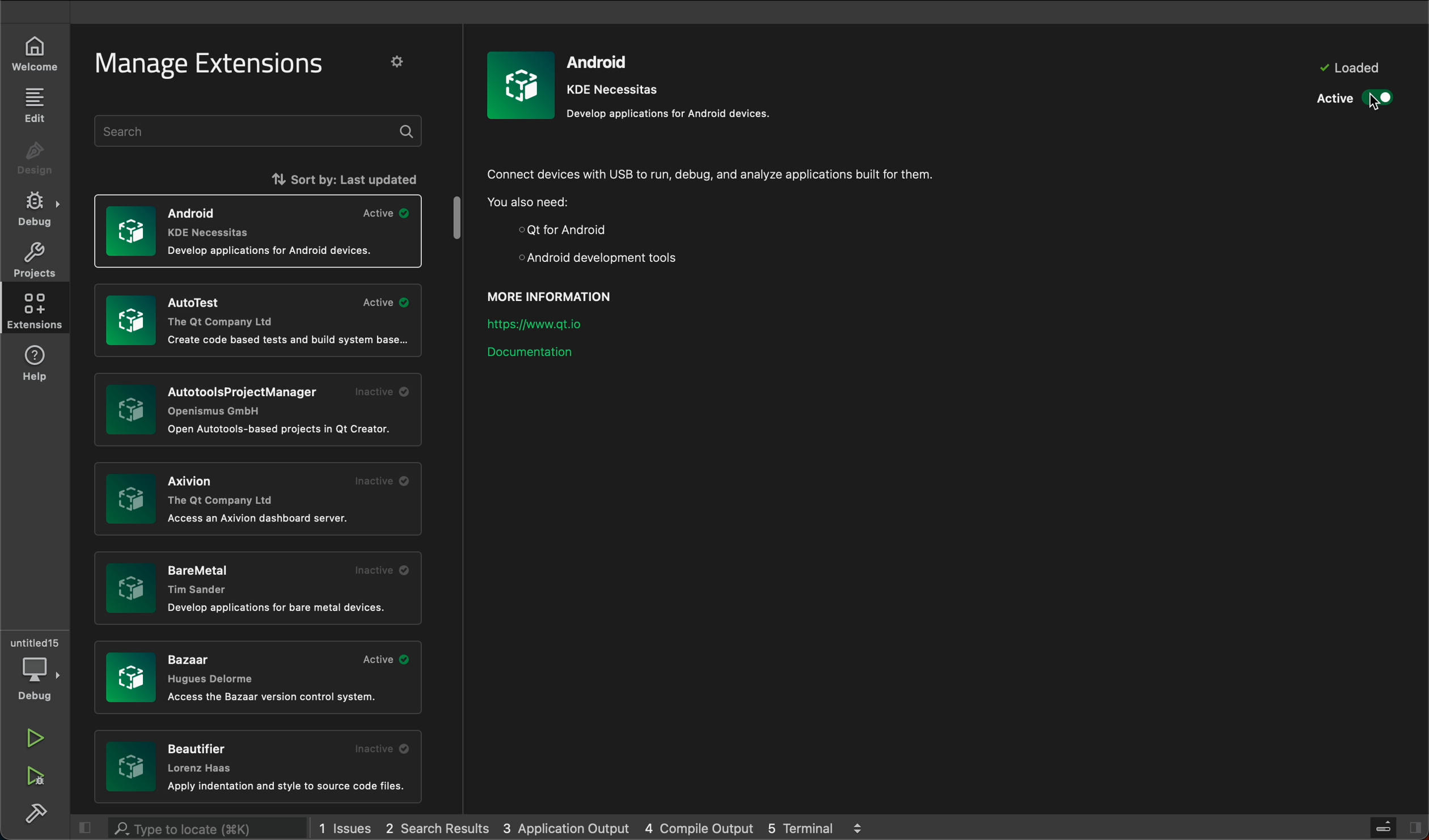  What do you see at coordinates (36, 668) in the screenshot?
I see `debugger` at bounding box center [36, 668].